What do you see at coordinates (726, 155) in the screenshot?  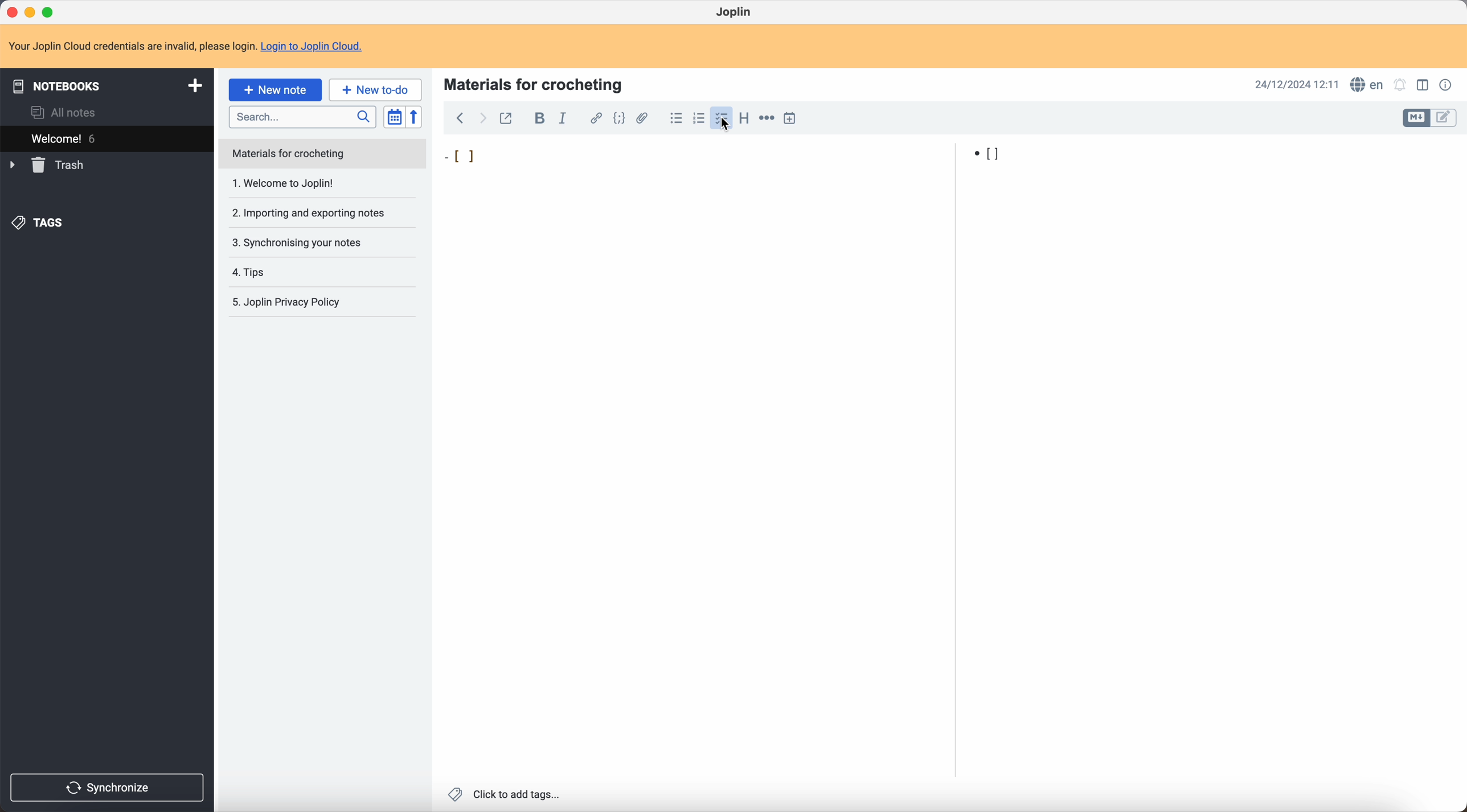 I see `bullet point` at bounding box center [726, 155].